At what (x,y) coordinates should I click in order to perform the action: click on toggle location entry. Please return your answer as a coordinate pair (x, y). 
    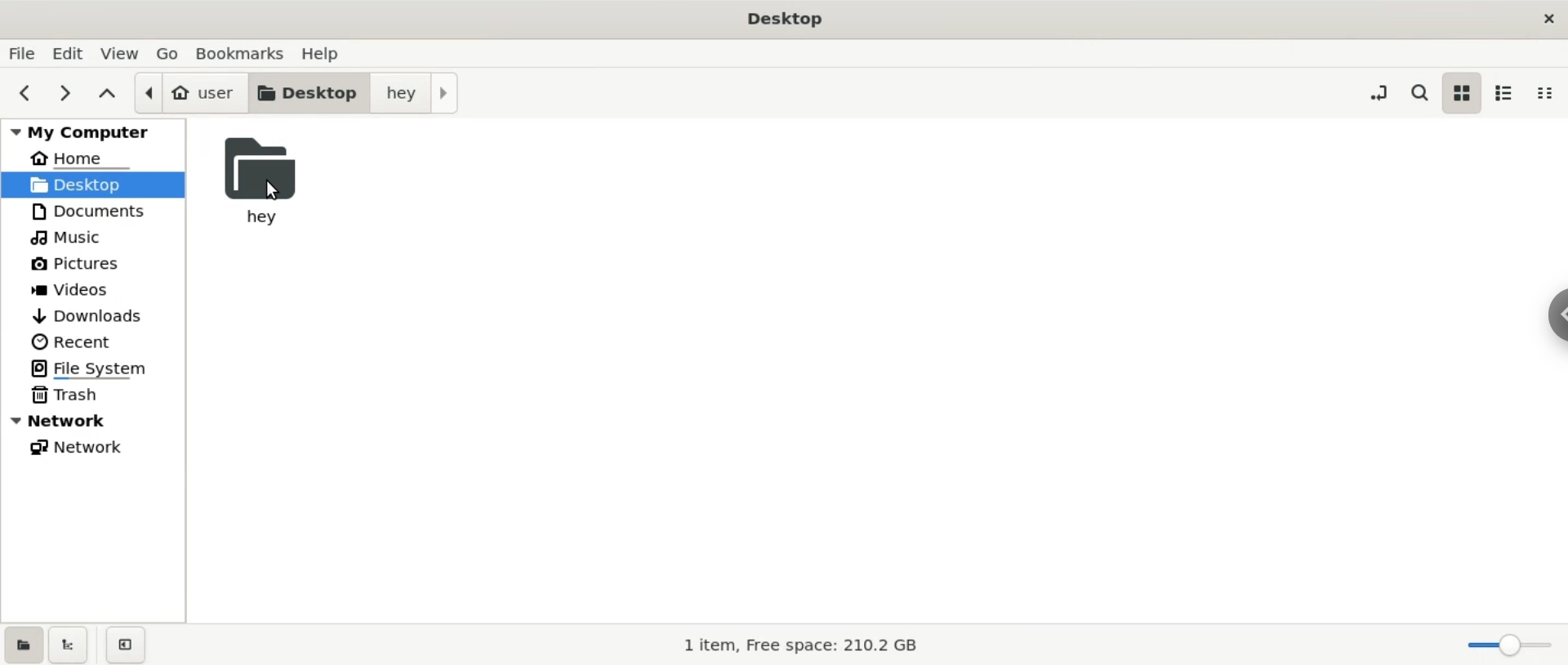
    Looking at the image, I should click on (1379, 95).